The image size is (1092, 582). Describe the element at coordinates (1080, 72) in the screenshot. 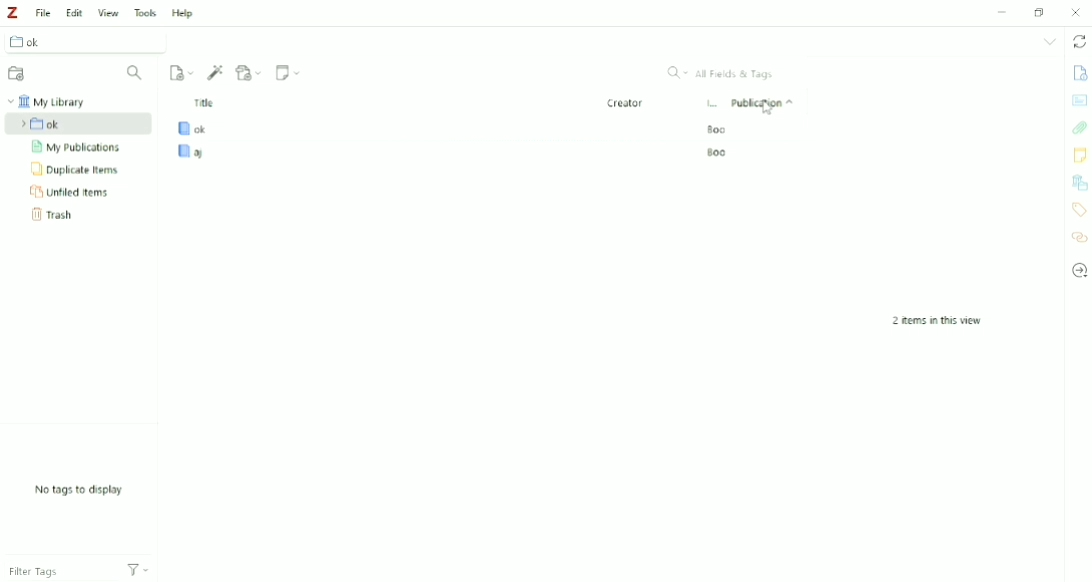

I see `Info` at that location.